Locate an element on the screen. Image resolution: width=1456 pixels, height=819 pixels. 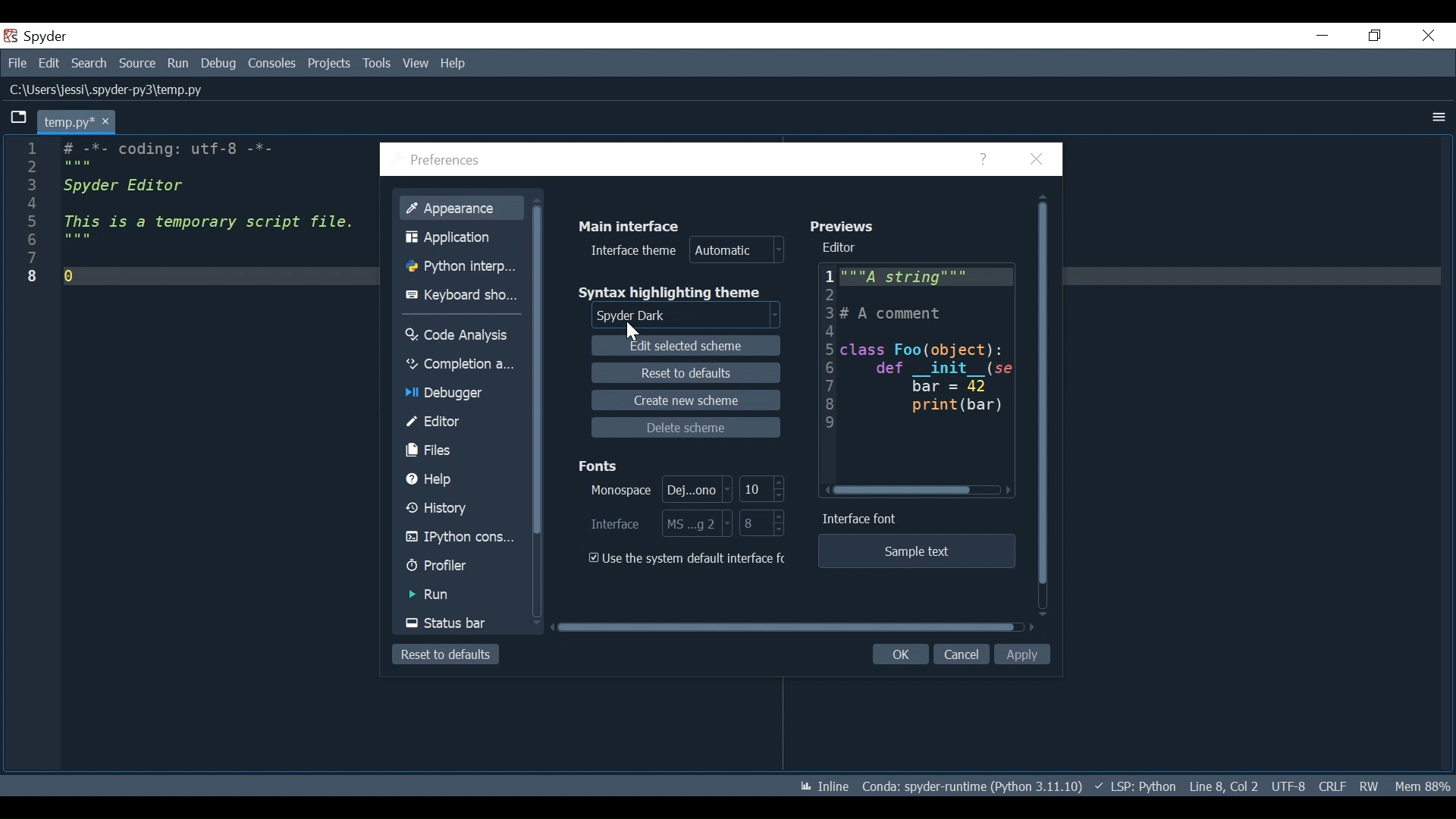
Spyder Desktop Icon is located at coordinates (39, 37).